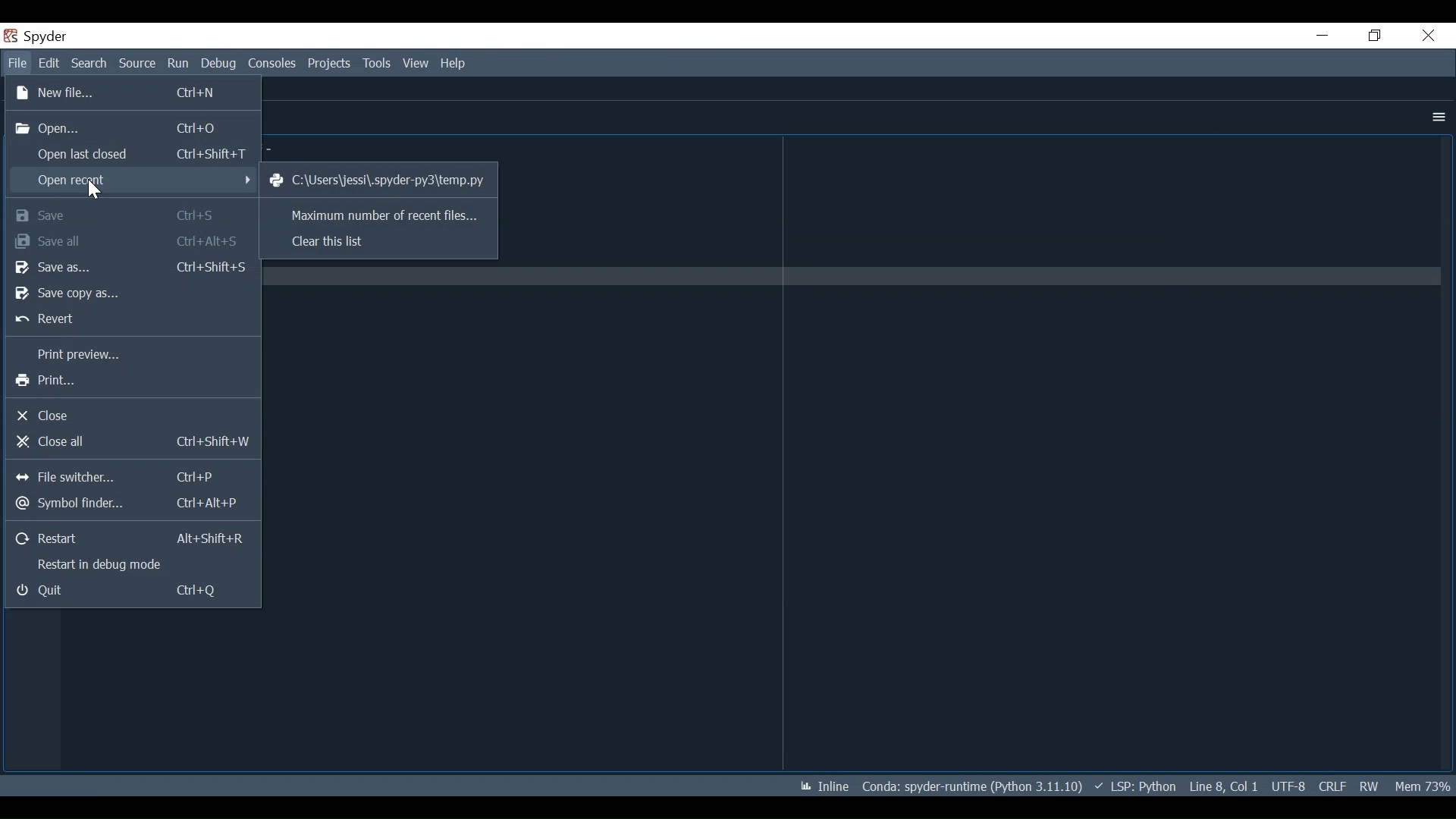 The width and height of the screenshot is (1456, 819). I want to click on Restart, so click(133, 538).